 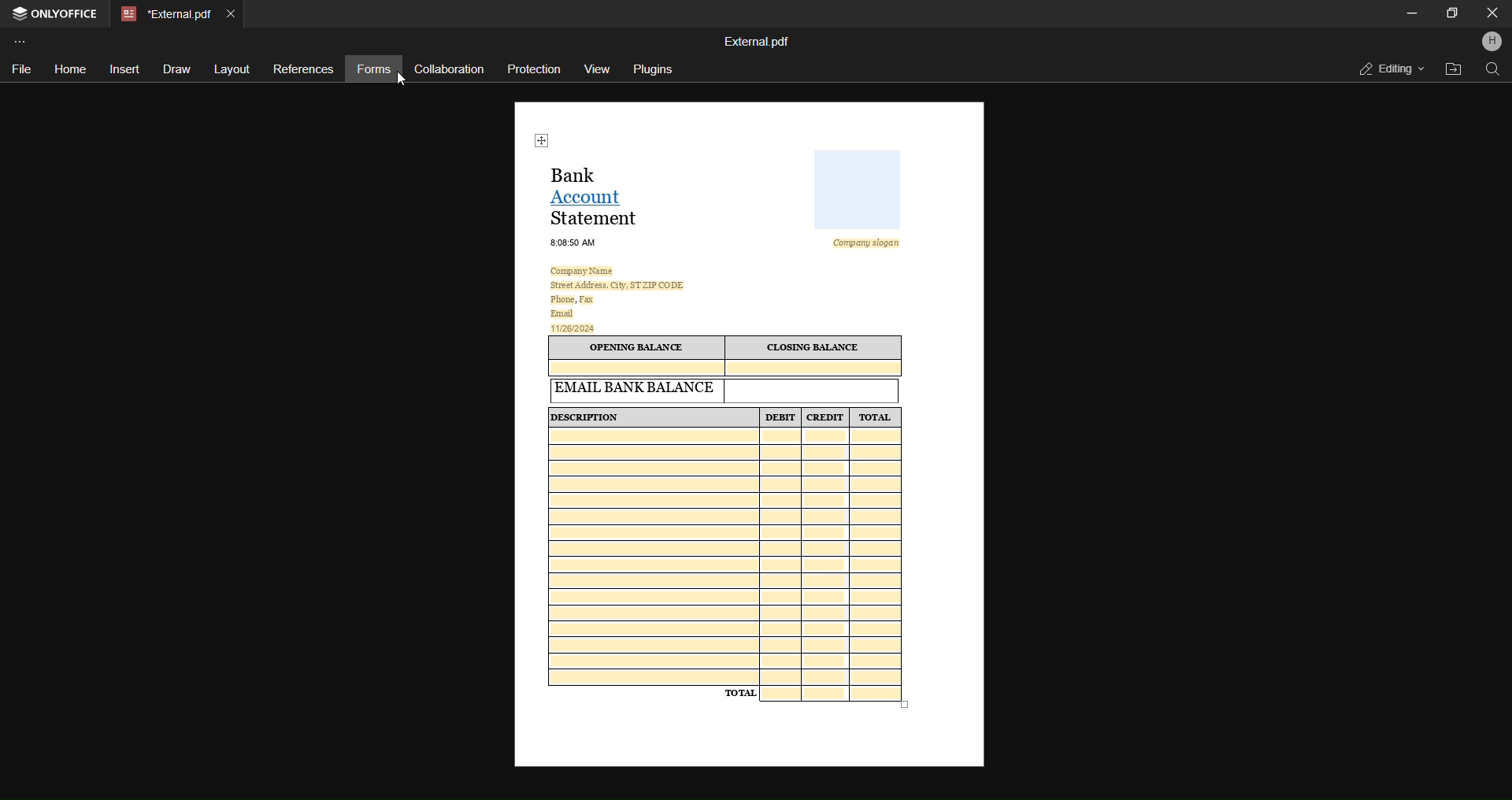 I want to click on file name, so click(x=757, y=41).